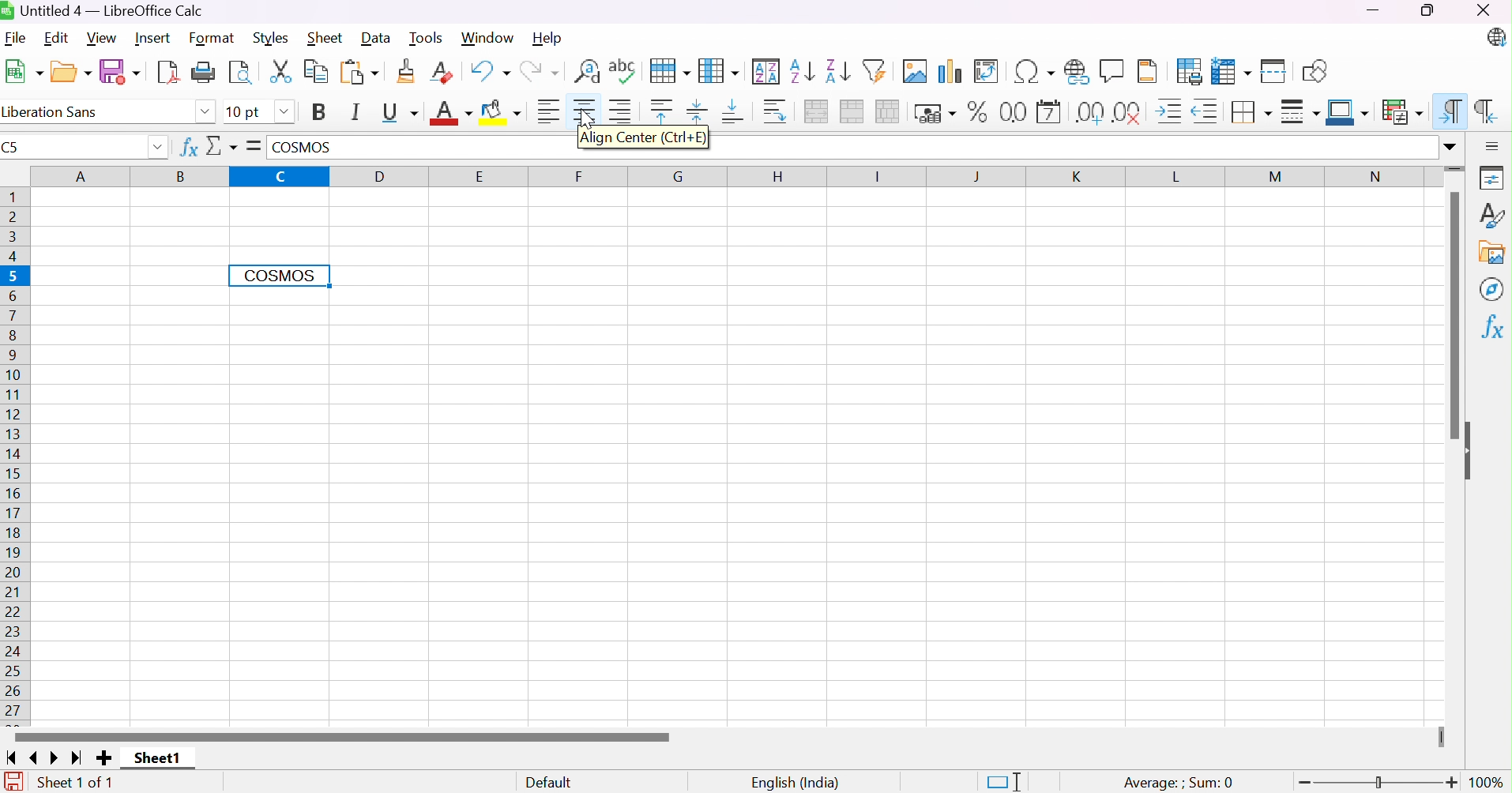 Image resolution: width=1512 pixels, height=793 pixels. Describe the element at coordinates (852, 113) in the screenshot. I see `Merge Cells` at that location.